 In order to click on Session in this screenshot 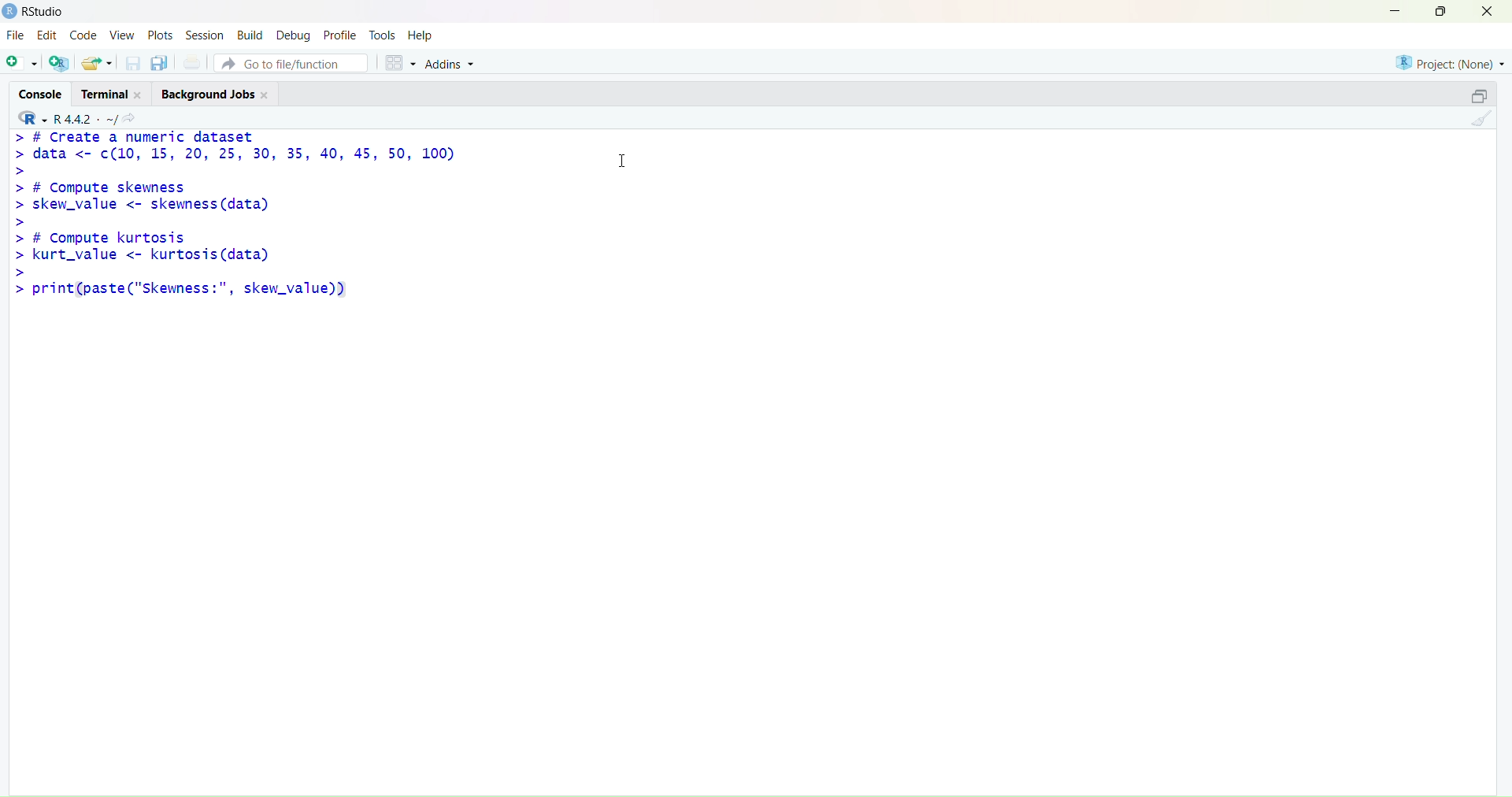, I will do `click(206, 35)`.